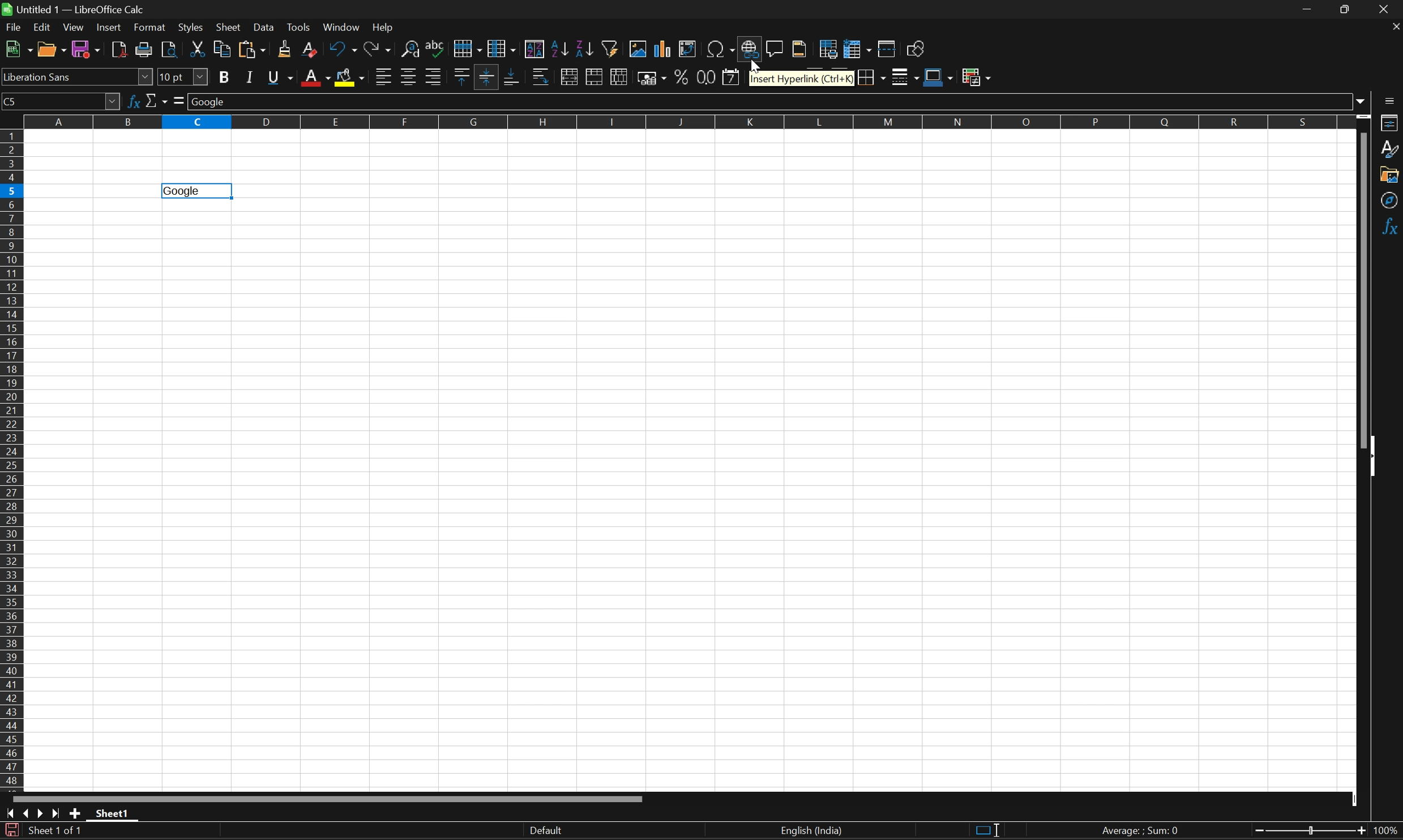 The width and height of the screenshot is (1403, 840). I want to click on Unmerge cells, so click(619, 78).